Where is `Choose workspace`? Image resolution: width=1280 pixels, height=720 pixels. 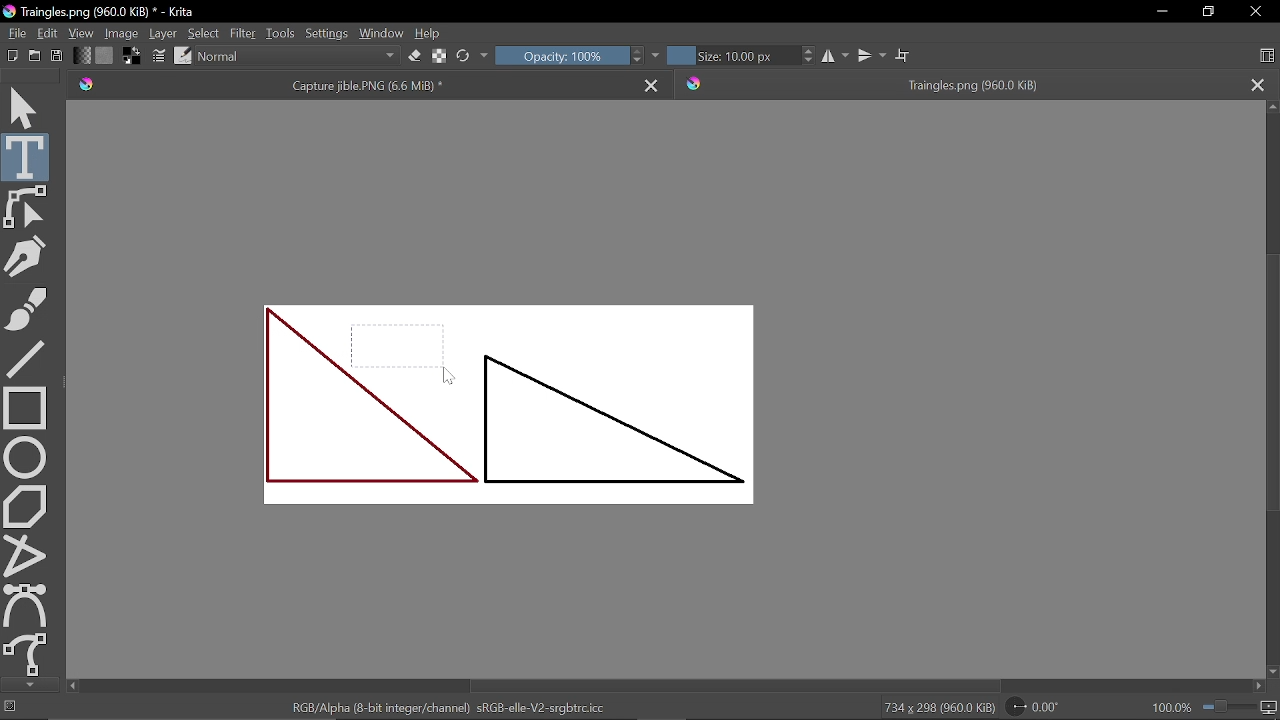 Choose workspace is located at coordinates (1266, 56).